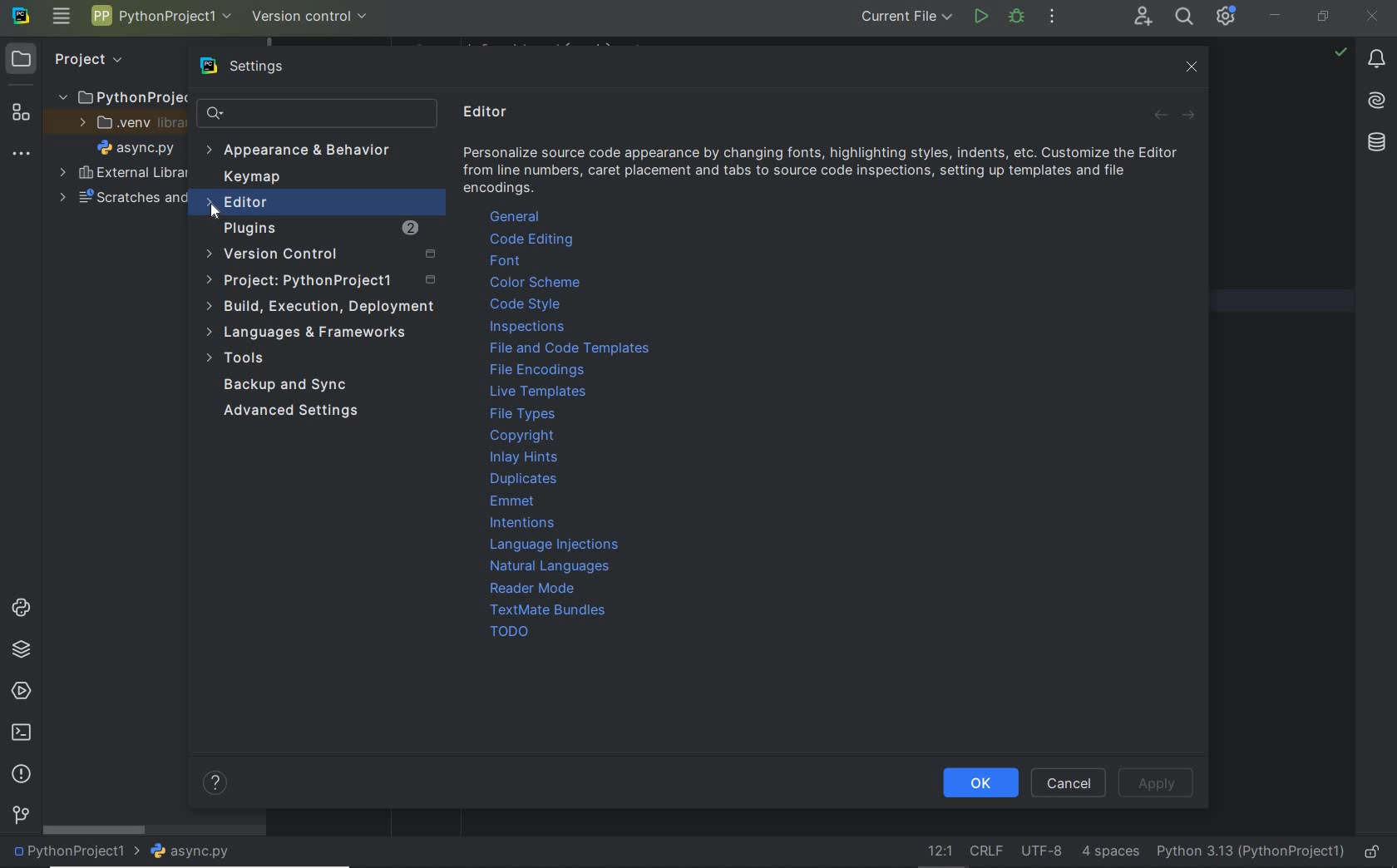 The image size is (1397, 868). I want to click on Inlay Hints, so click(526, 457).